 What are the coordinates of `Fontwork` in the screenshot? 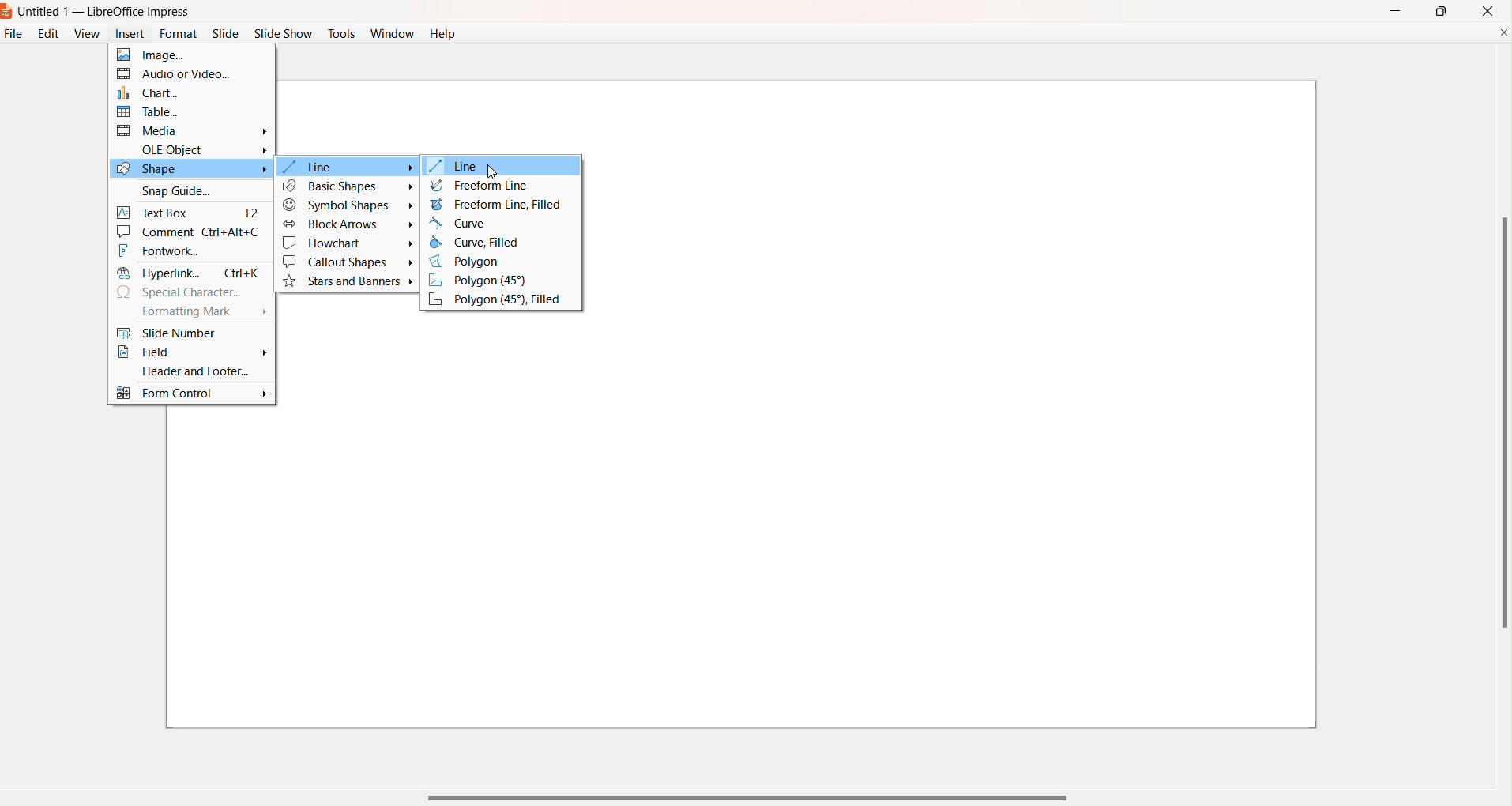 It's located at (183, 250).